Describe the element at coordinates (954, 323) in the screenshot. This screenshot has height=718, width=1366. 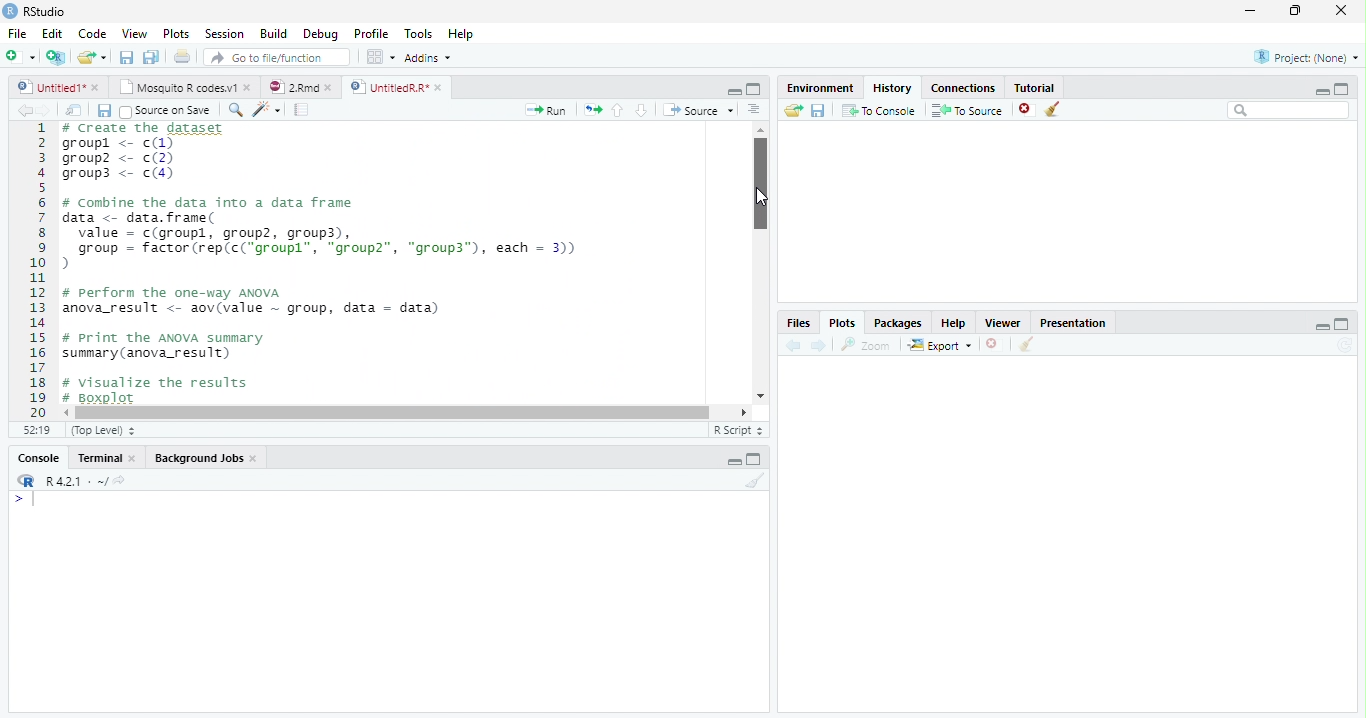
I see `help` at that location.